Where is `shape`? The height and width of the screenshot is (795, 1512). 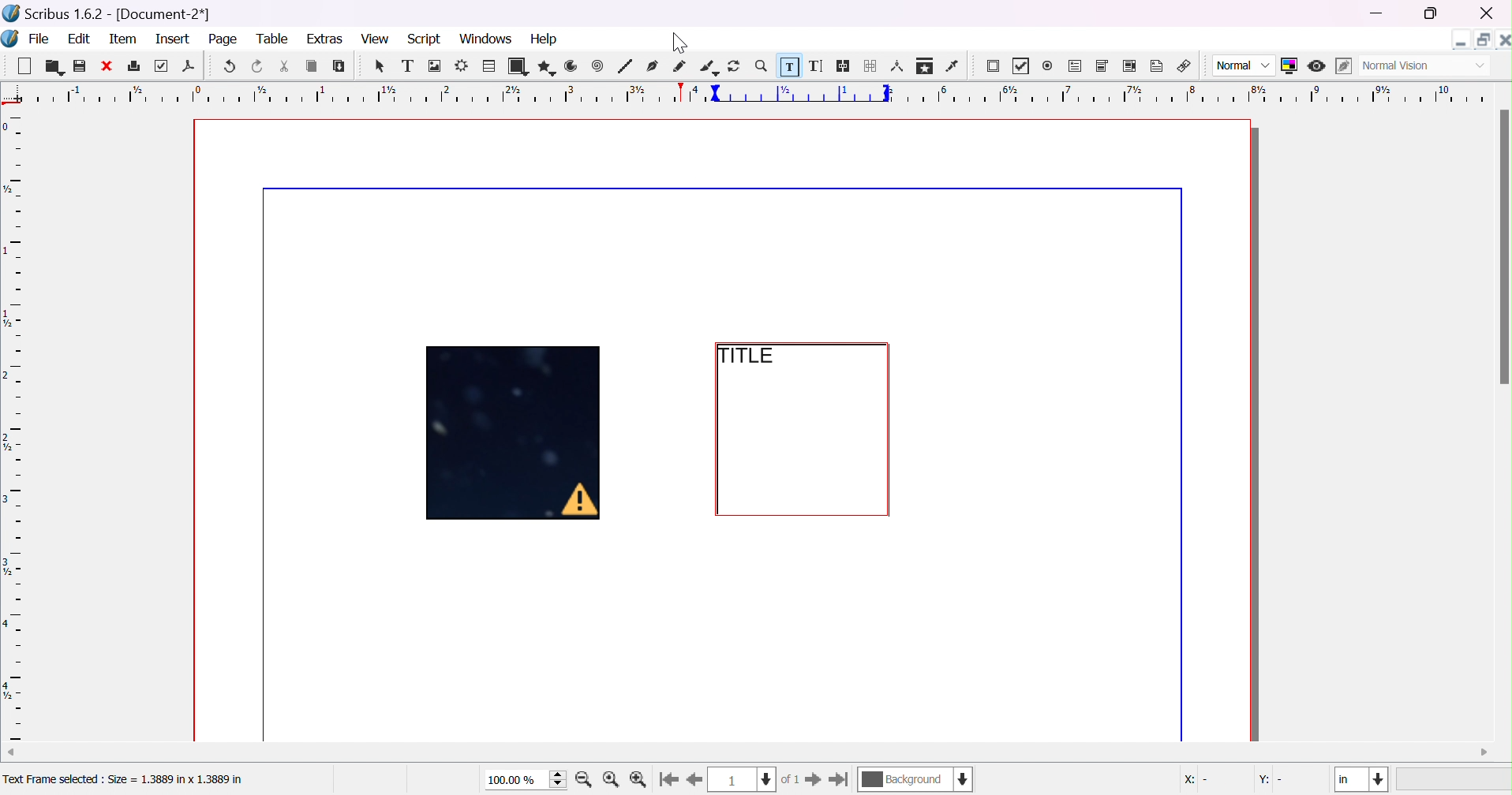 shape is located at coordinates (517, 66).